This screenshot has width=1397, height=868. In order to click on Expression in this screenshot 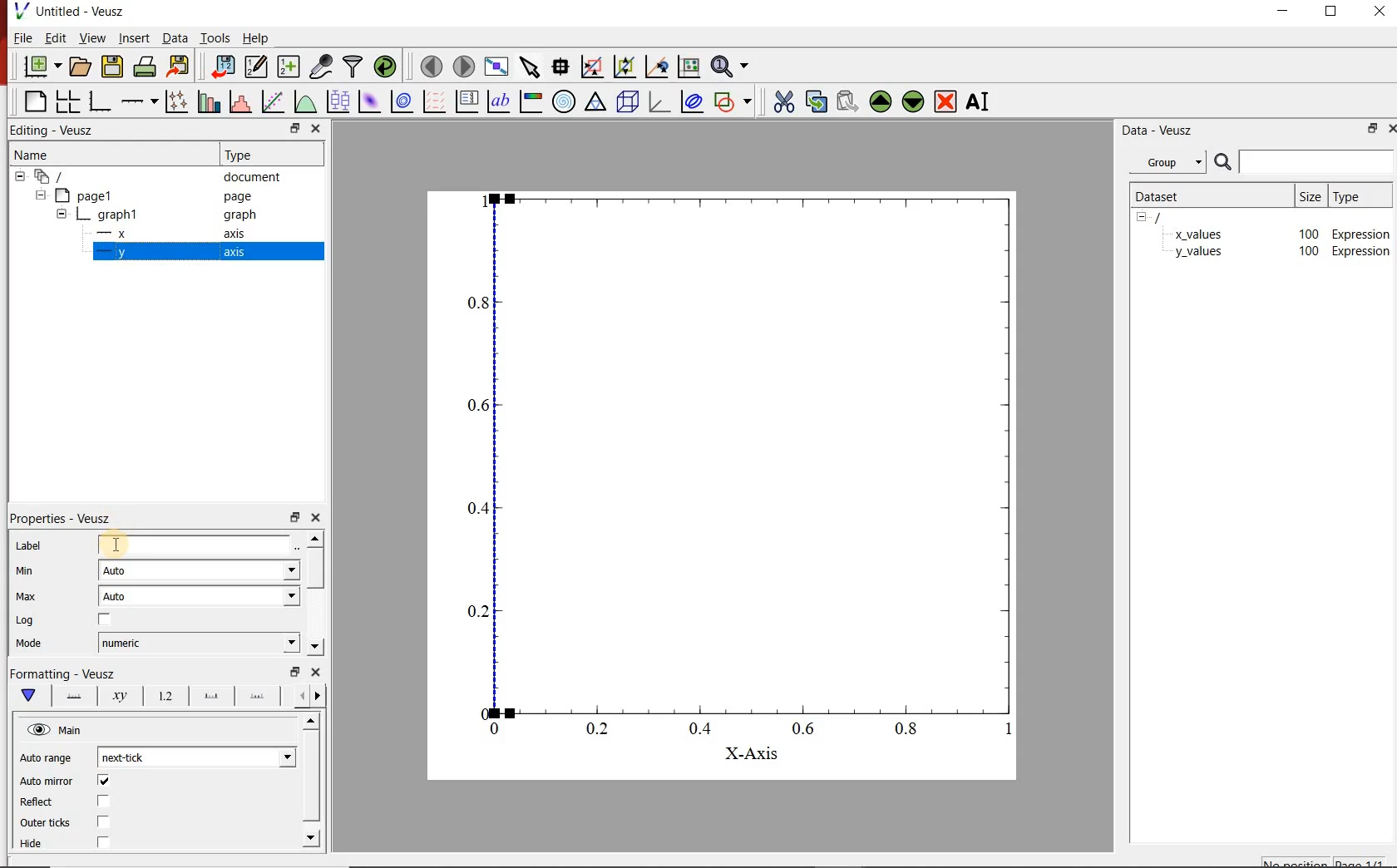, I will do `click(1361, 252)`.